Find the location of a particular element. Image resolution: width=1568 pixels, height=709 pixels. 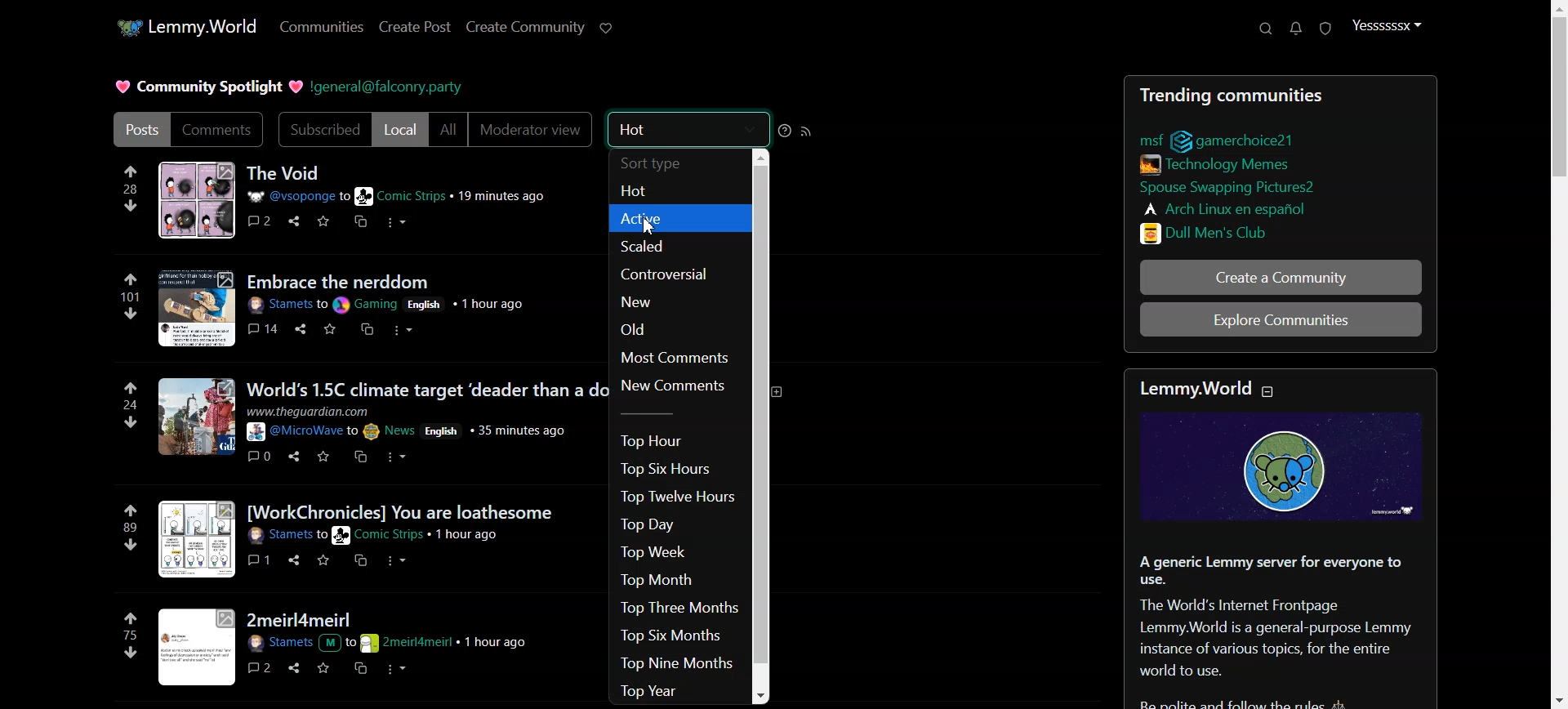

share is located at coordinates (293, 667).